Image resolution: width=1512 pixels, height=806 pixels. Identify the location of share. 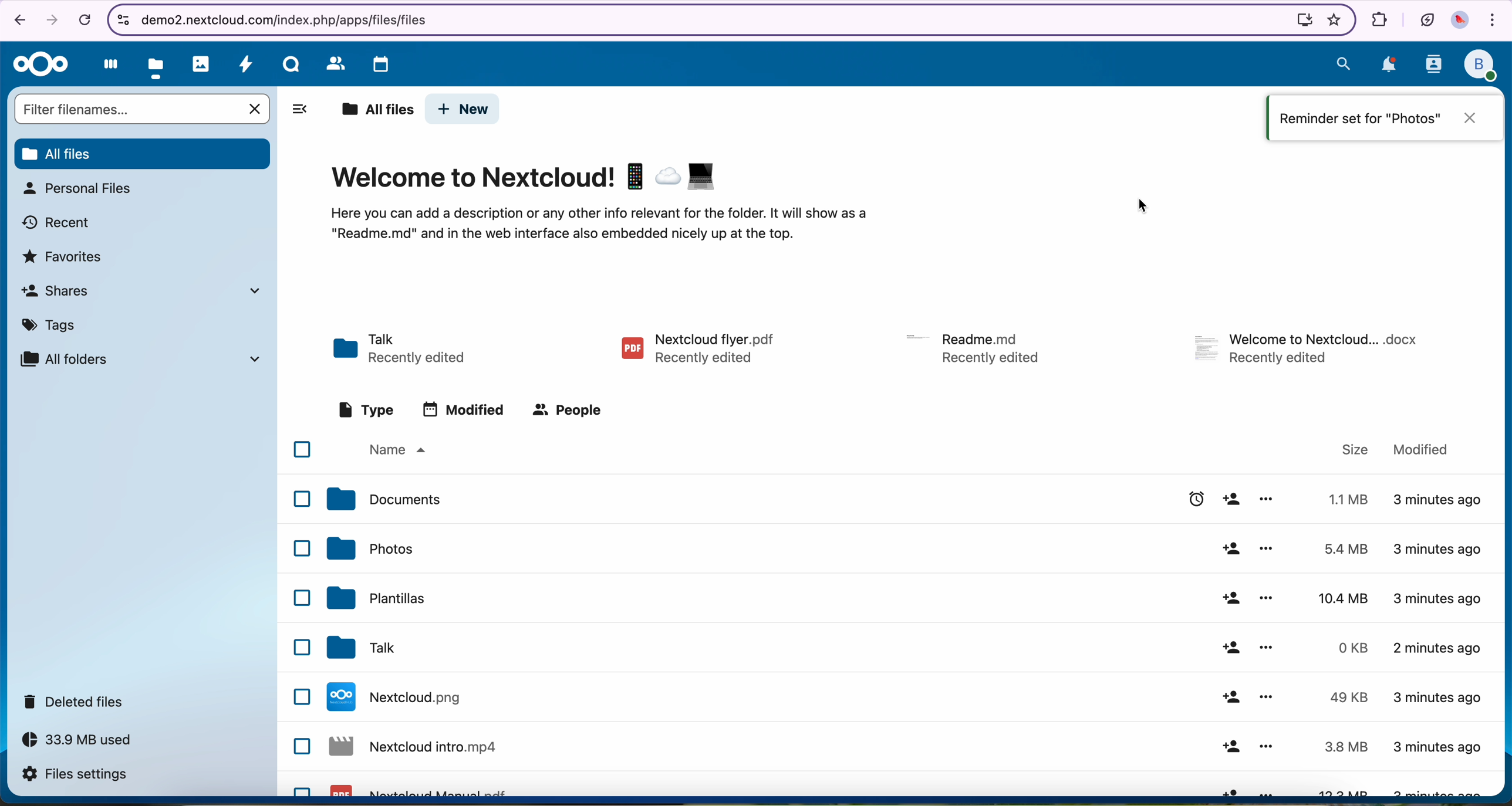
(1227, 550).